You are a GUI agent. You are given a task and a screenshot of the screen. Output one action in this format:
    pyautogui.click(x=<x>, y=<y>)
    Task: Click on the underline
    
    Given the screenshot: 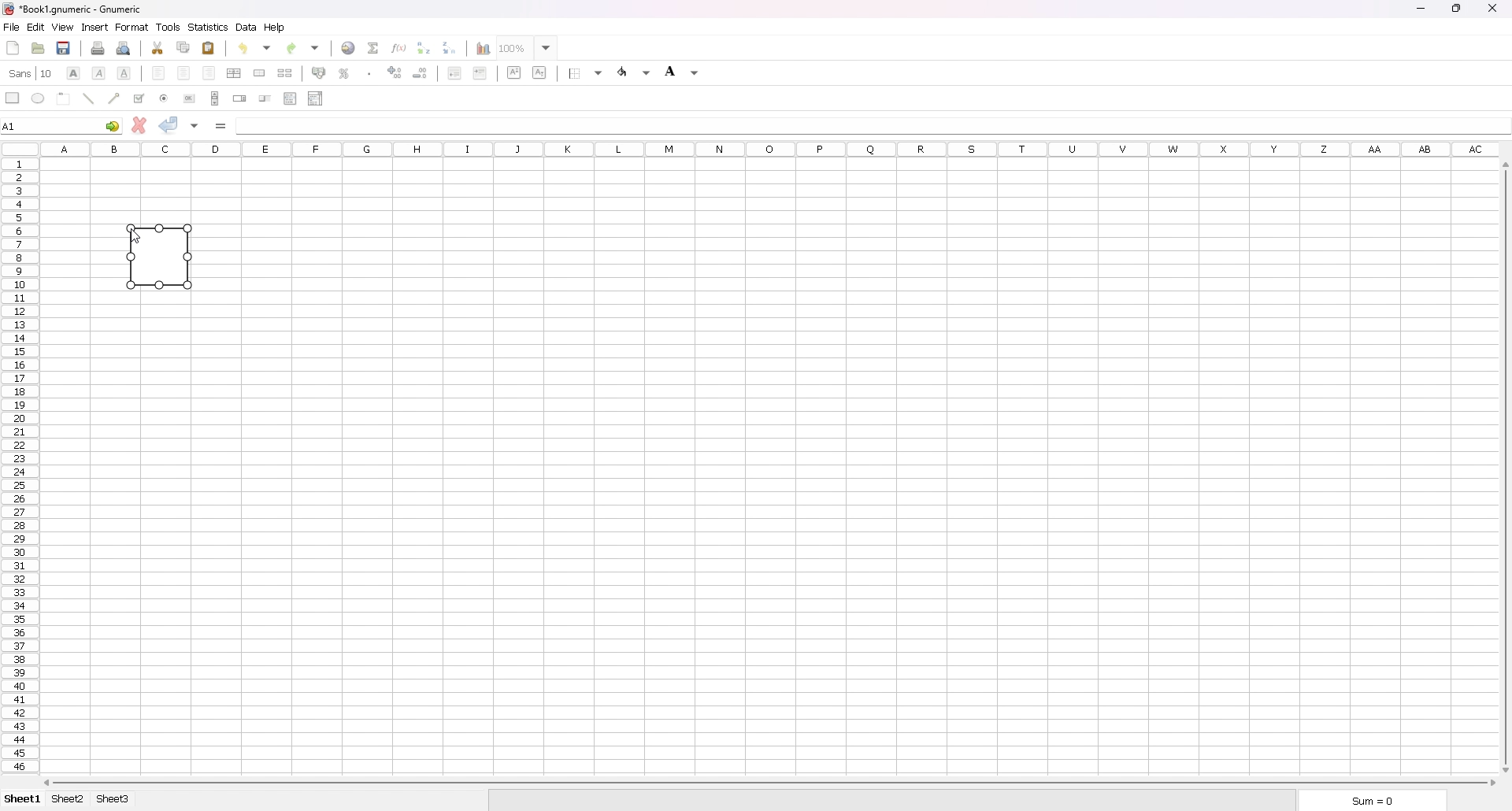 What is the action you would take?
    pyautogui.click(x=124, y=72)
    